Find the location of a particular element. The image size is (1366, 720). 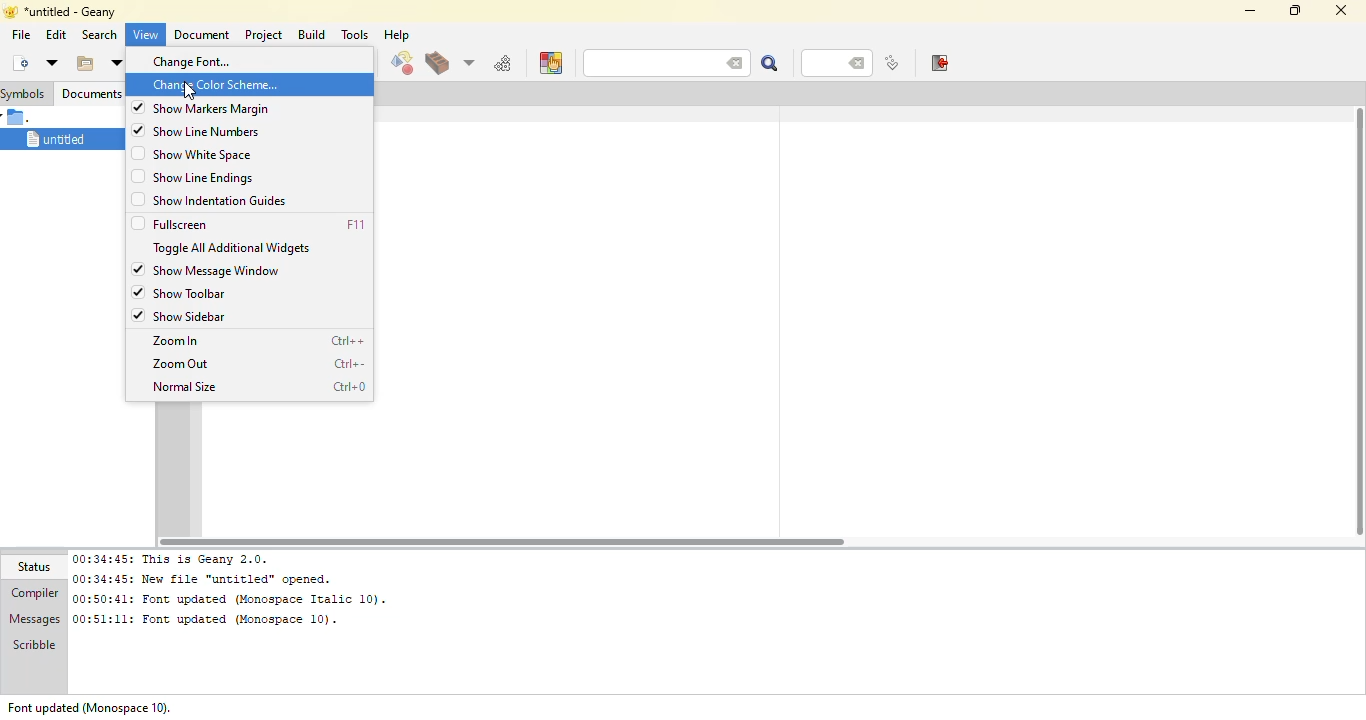

logo is located at coordinates (9, 11).